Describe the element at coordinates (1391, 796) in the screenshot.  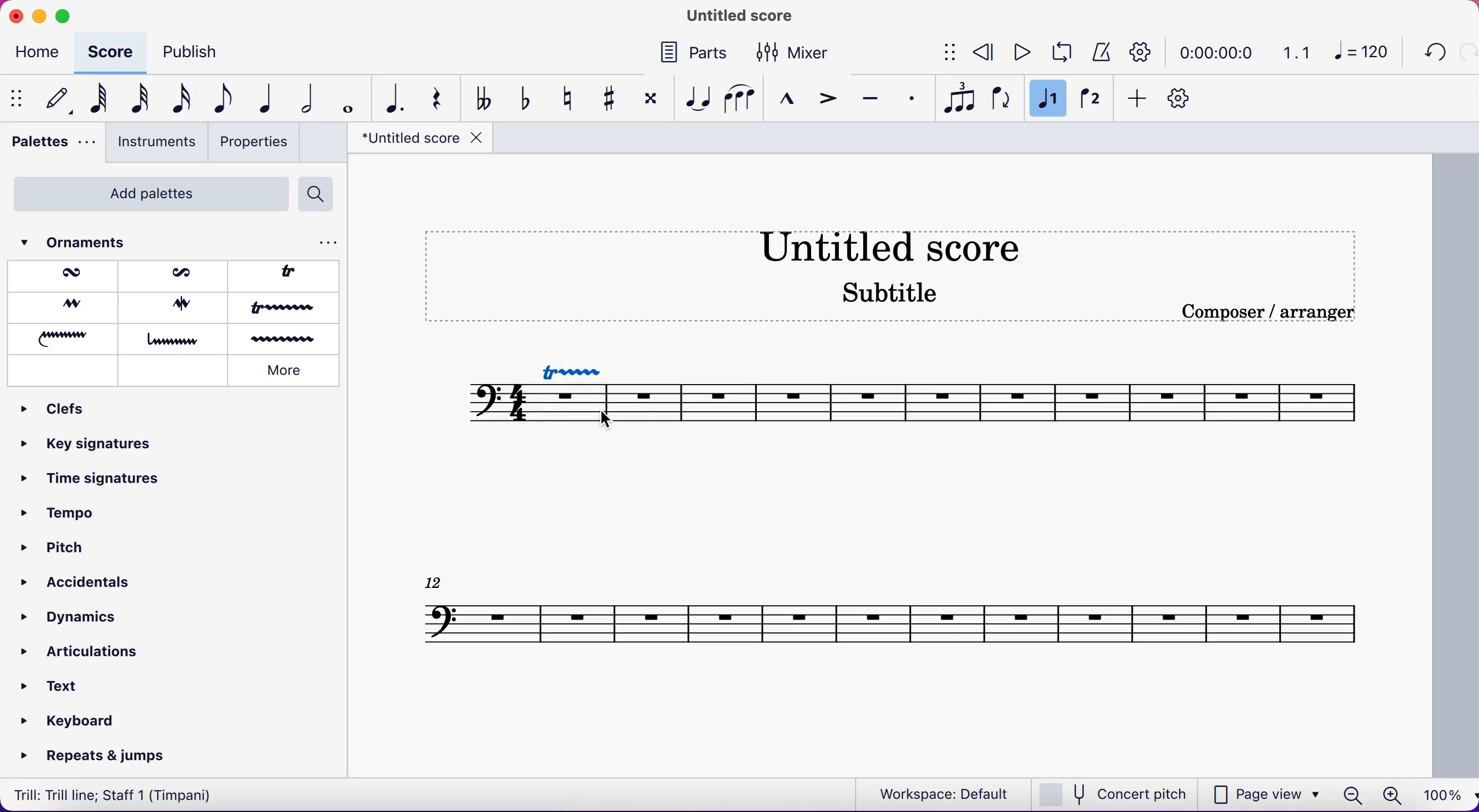
I see `zoom in` at that location.